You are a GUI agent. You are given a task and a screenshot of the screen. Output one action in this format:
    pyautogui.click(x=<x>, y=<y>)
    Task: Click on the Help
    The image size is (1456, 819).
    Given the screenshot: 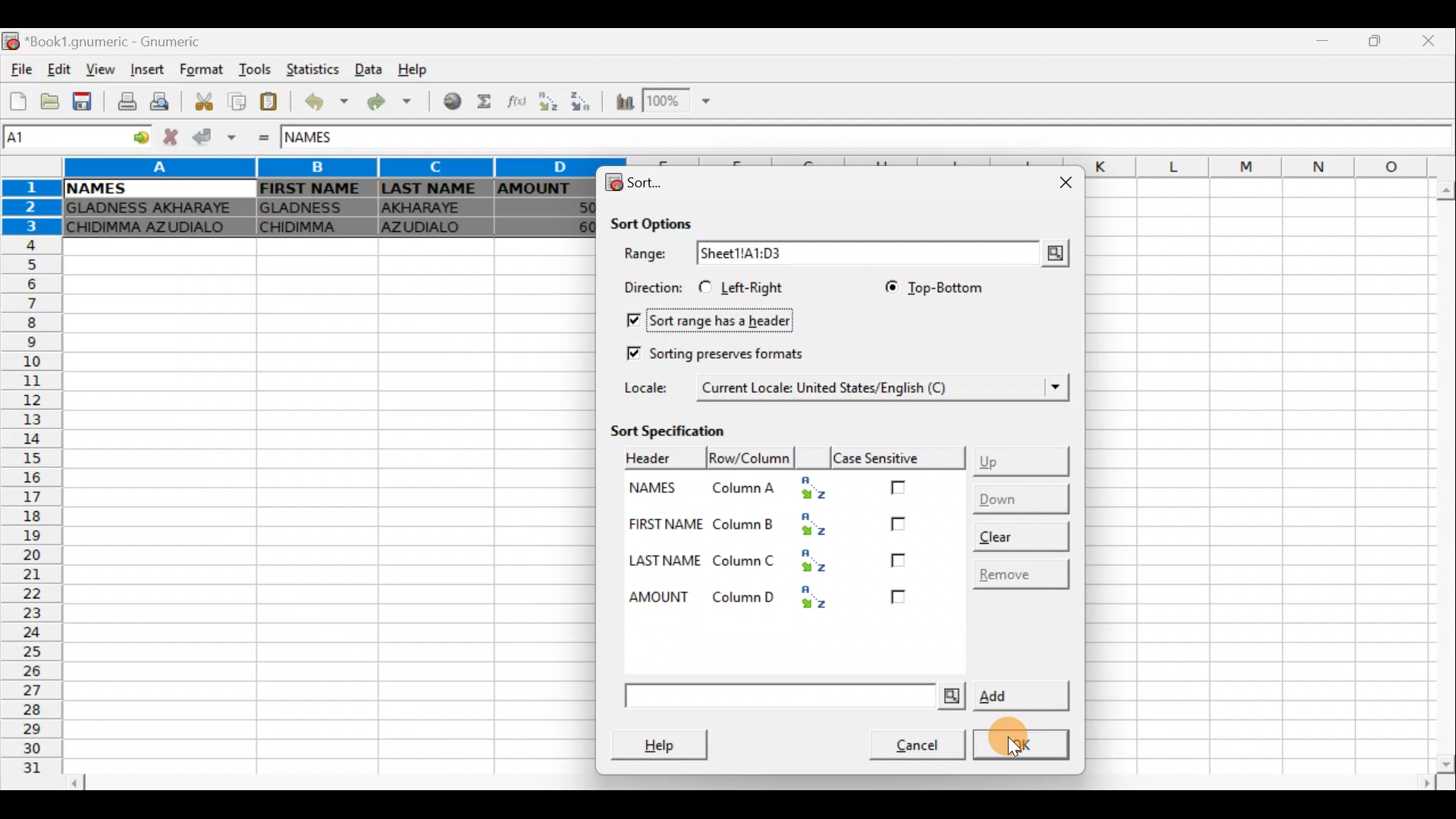 What is the action you would take?
    pyautogui.click(x=423, y=66)
    